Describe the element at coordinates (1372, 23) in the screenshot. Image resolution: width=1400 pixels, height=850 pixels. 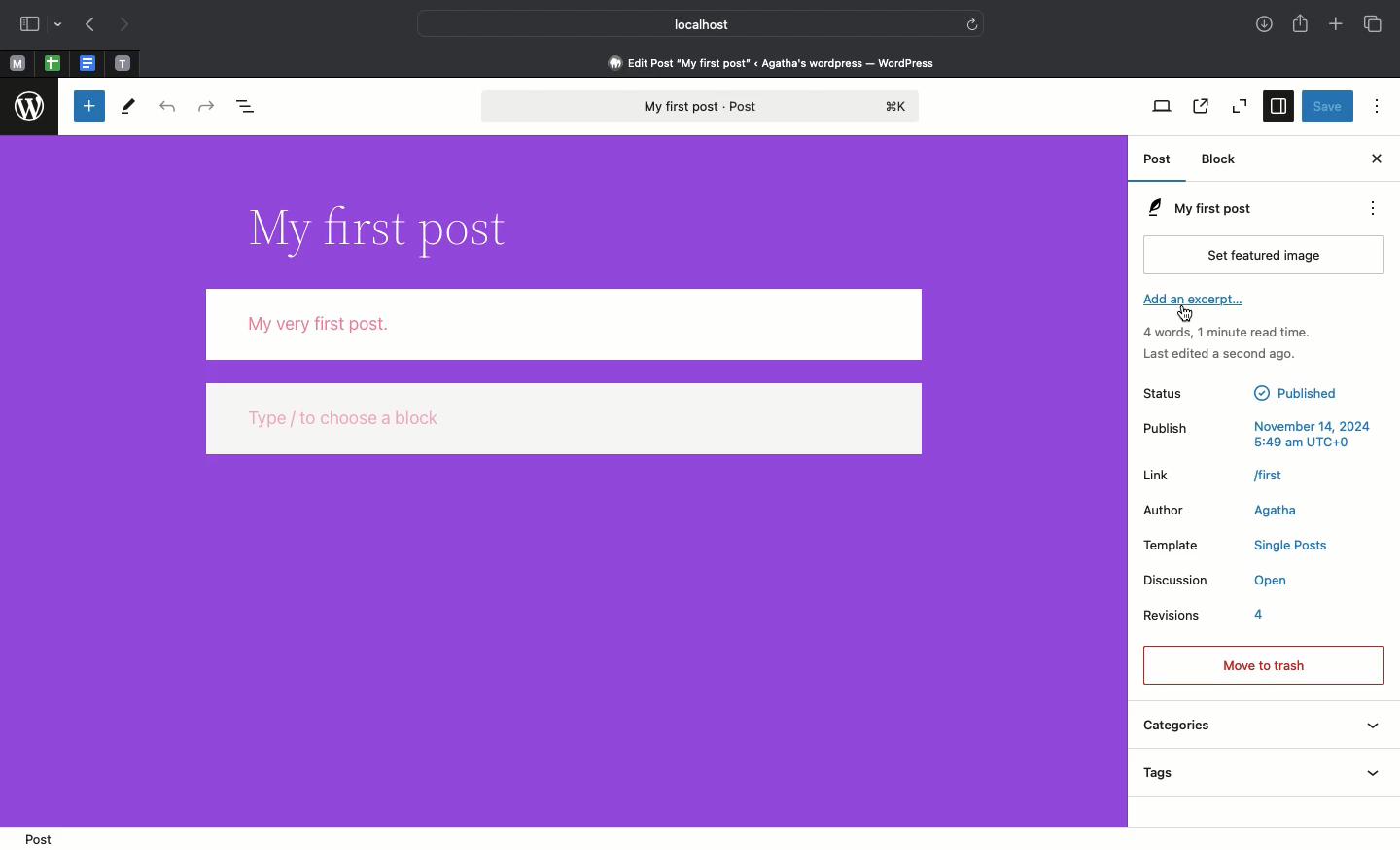
I see `Tabs` at that location.